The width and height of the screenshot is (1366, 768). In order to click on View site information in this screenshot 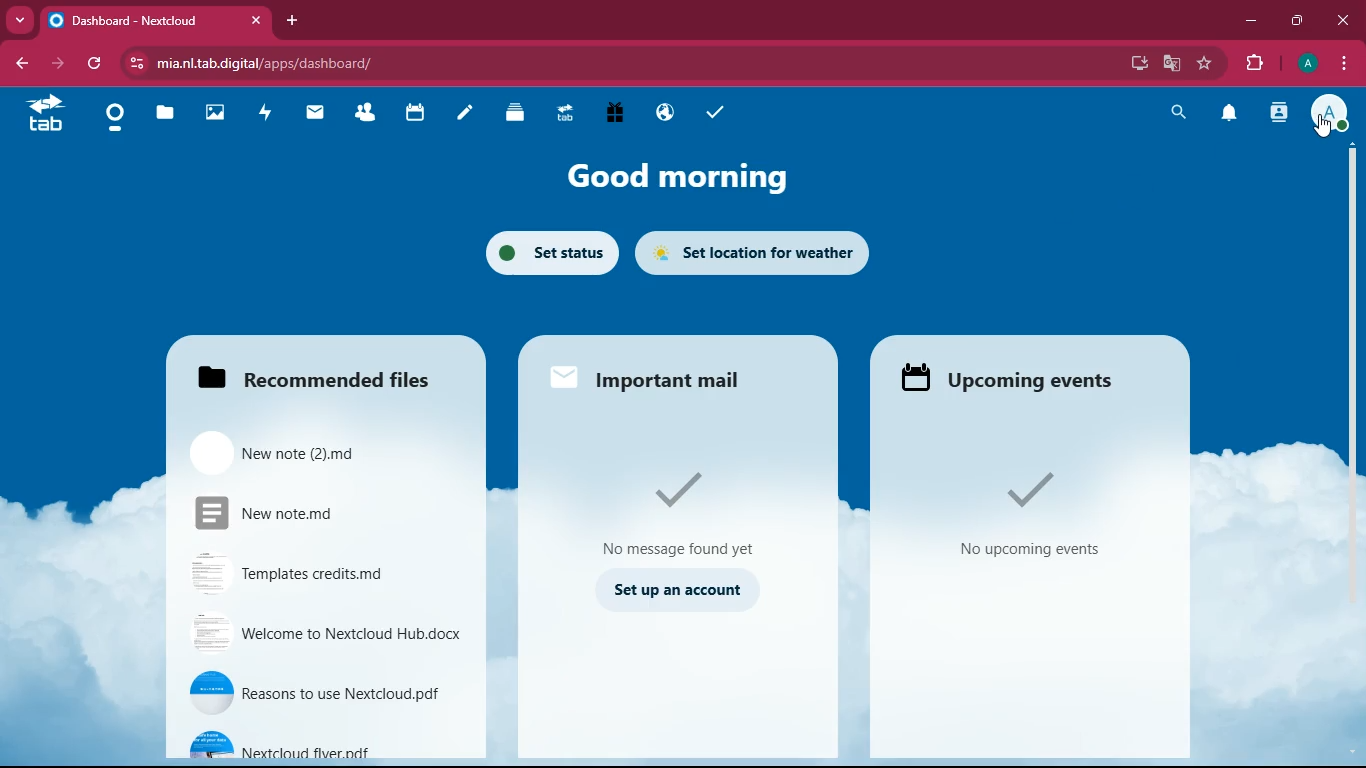, I will do `click(134, 65)`.